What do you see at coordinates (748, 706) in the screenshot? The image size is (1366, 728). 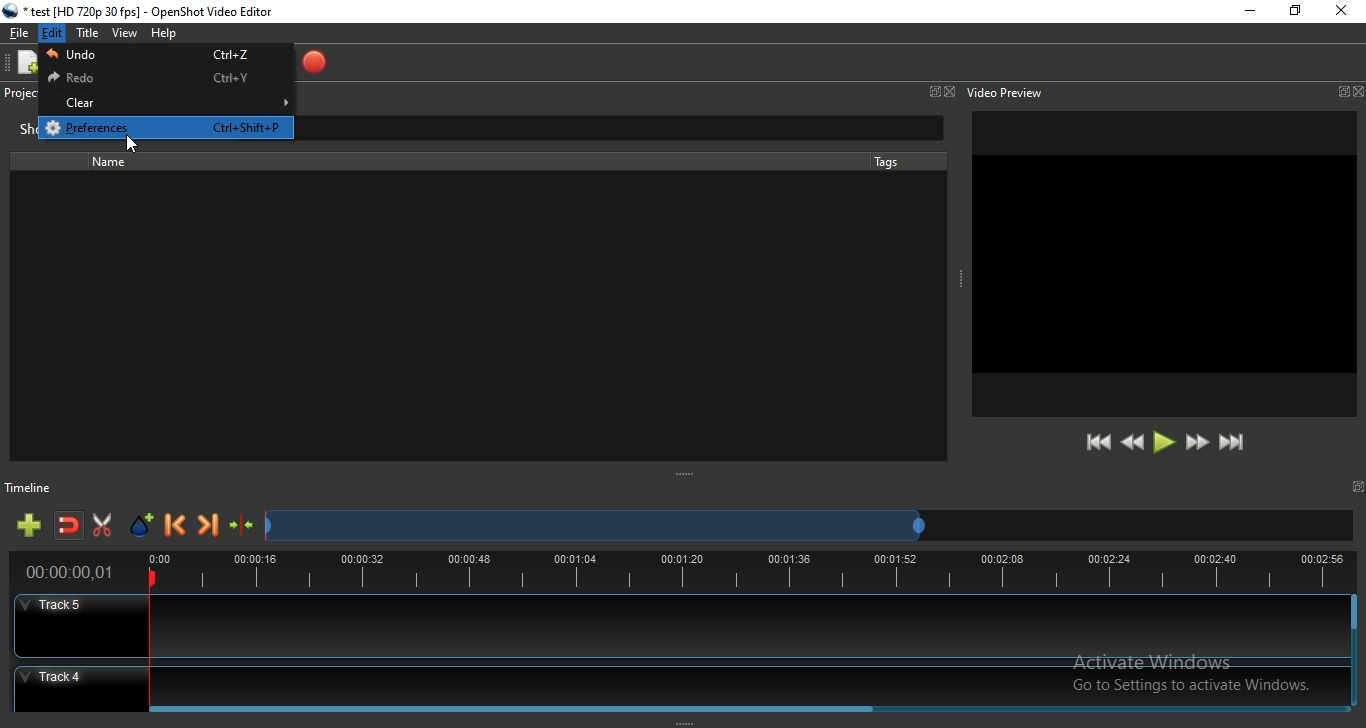 I see `Horizontal Scroll bar` at bounding box center [748, 706].